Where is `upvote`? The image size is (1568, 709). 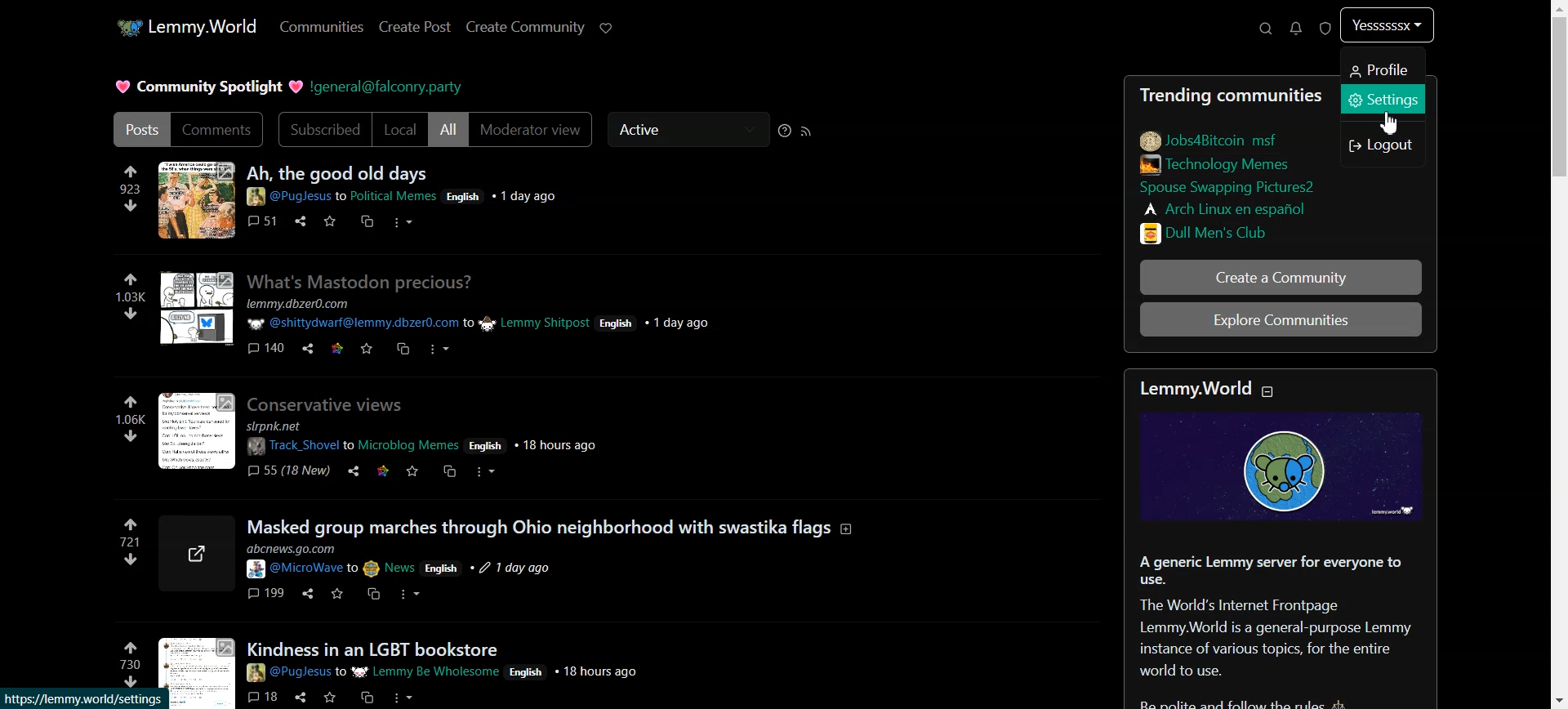
upvote is located at coordinates (134, 279).